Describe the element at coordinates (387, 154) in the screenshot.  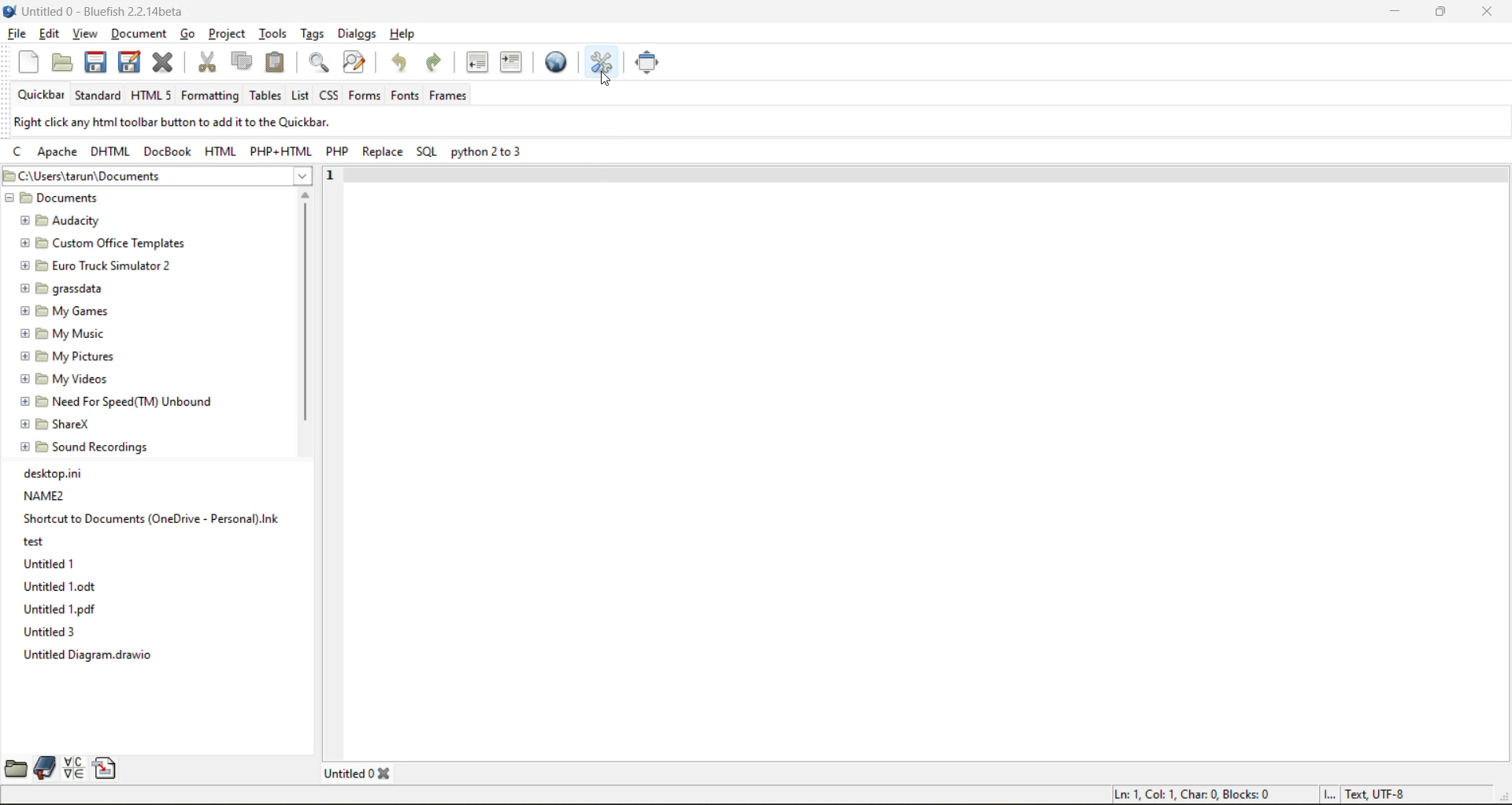
I see `replace` at that location.